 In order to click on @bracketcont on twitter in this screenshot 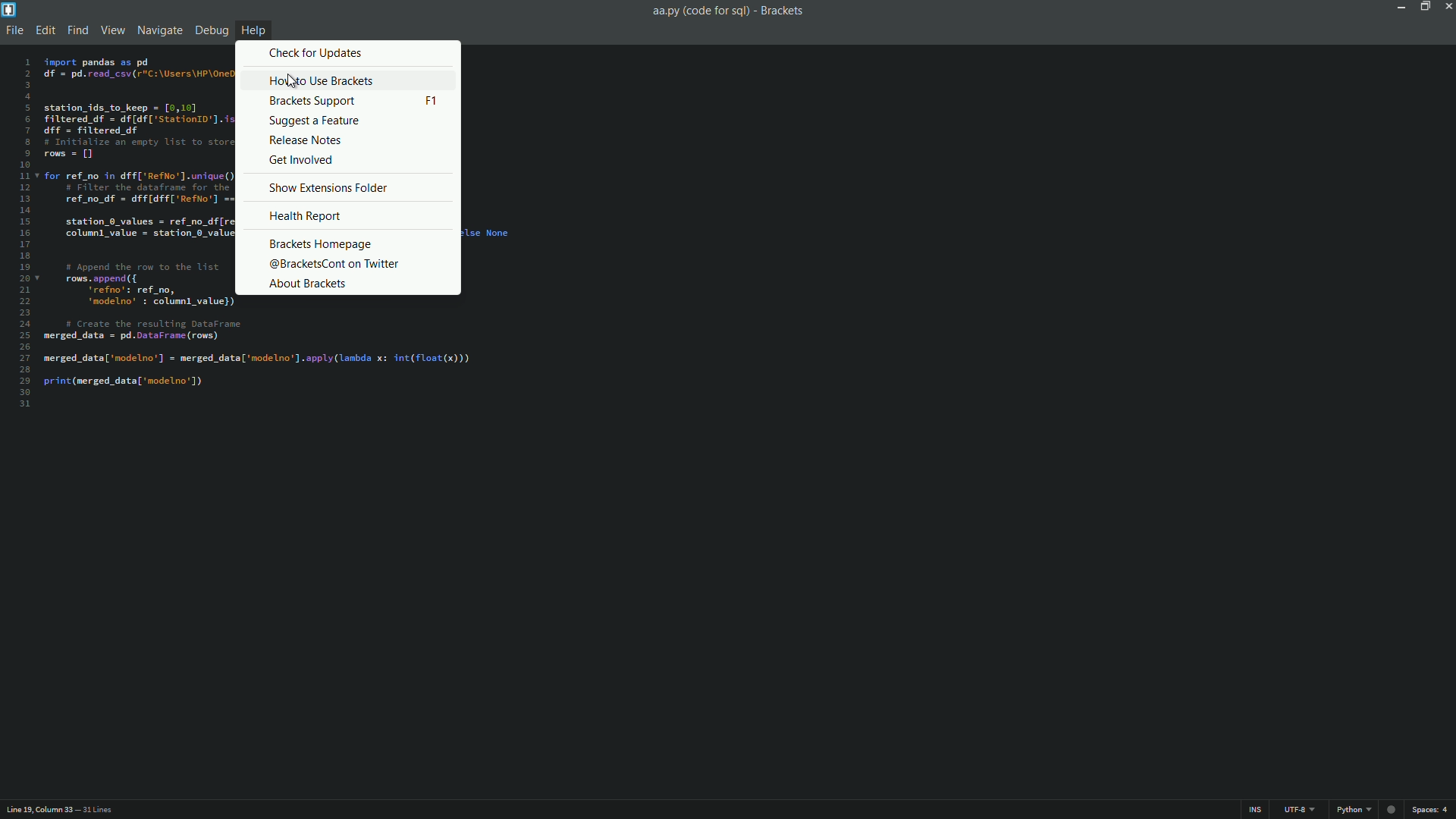, I will do `click(333, 265)`.